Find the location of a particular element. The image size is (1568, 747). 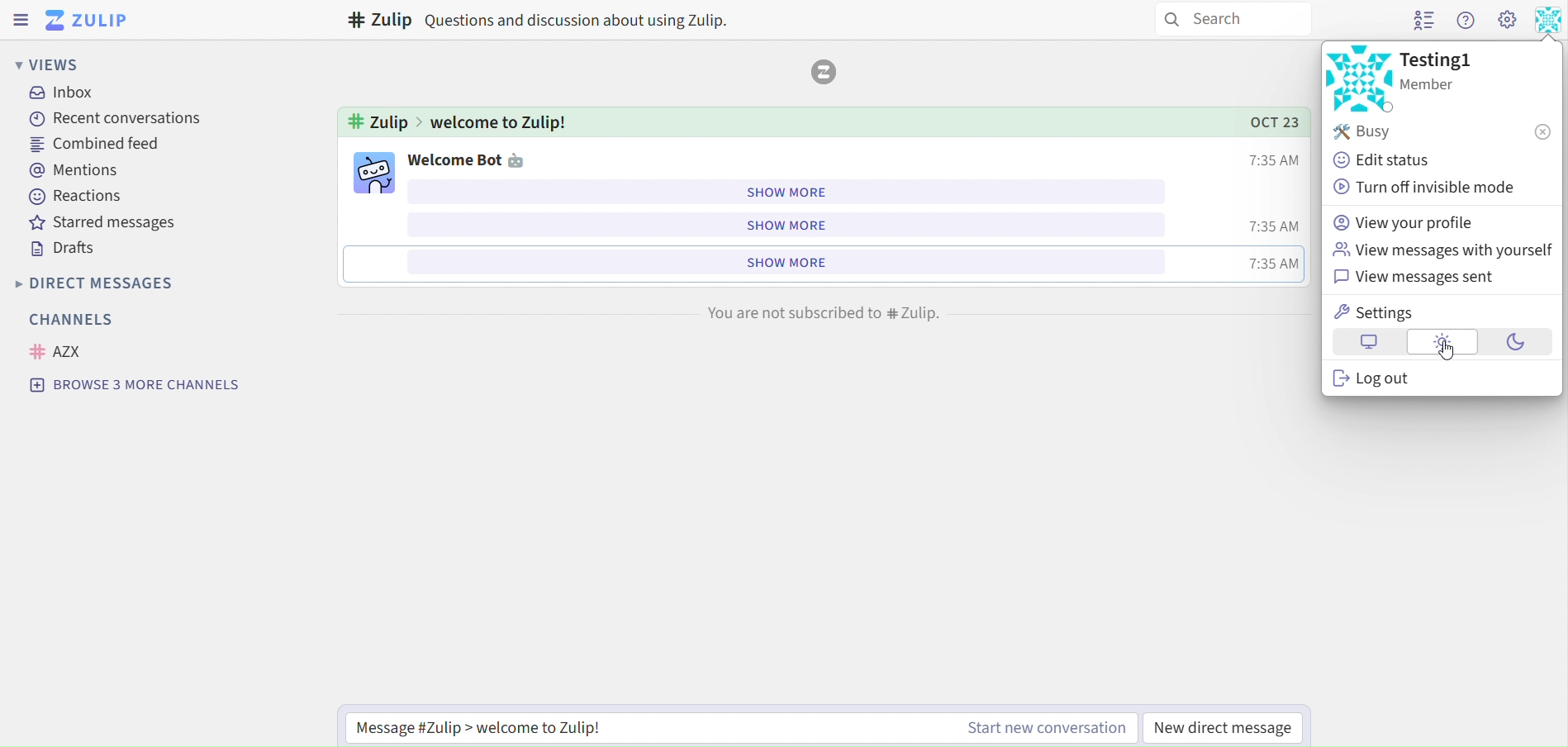

settings is located at coordinates (1374, 310).